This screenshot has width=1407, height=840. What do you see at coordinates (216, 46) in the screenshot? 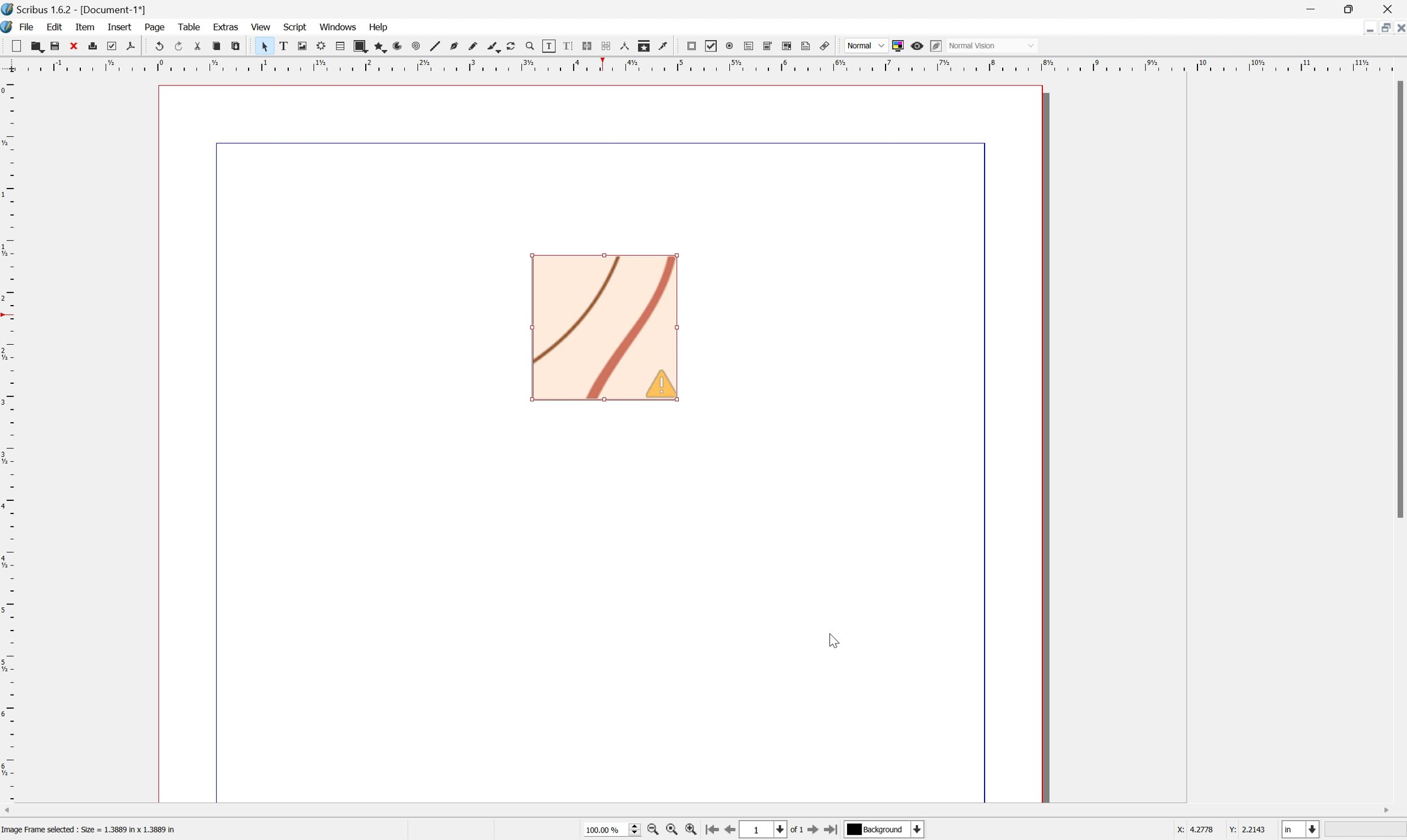
I see `Copy` at bounding box center [216, 46].